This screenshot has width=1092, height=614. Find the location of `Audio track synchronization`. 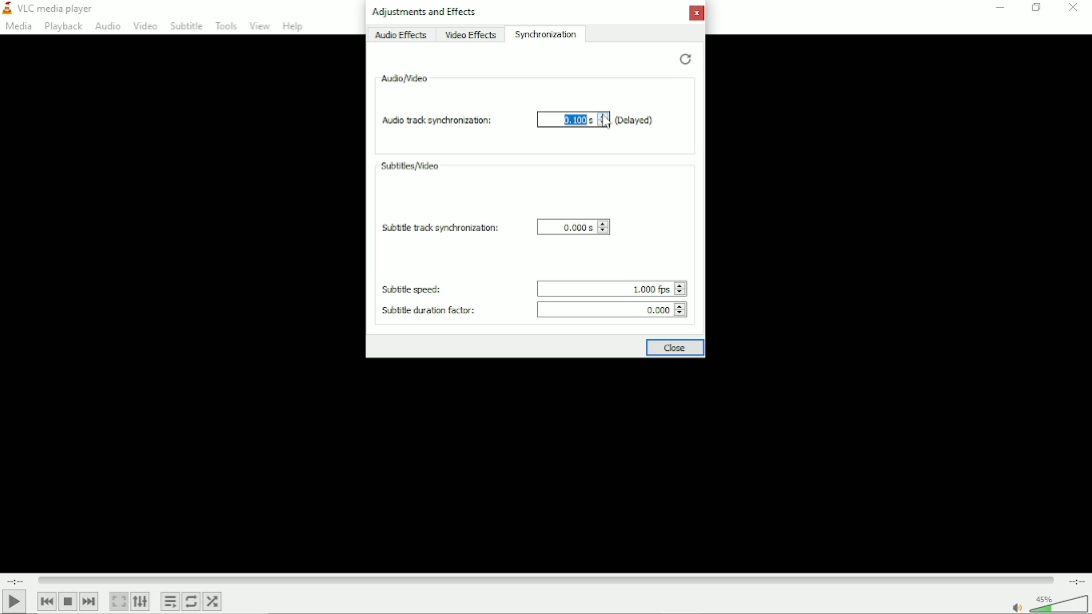

Audio track synchronization is located at coordinates (450, 118).